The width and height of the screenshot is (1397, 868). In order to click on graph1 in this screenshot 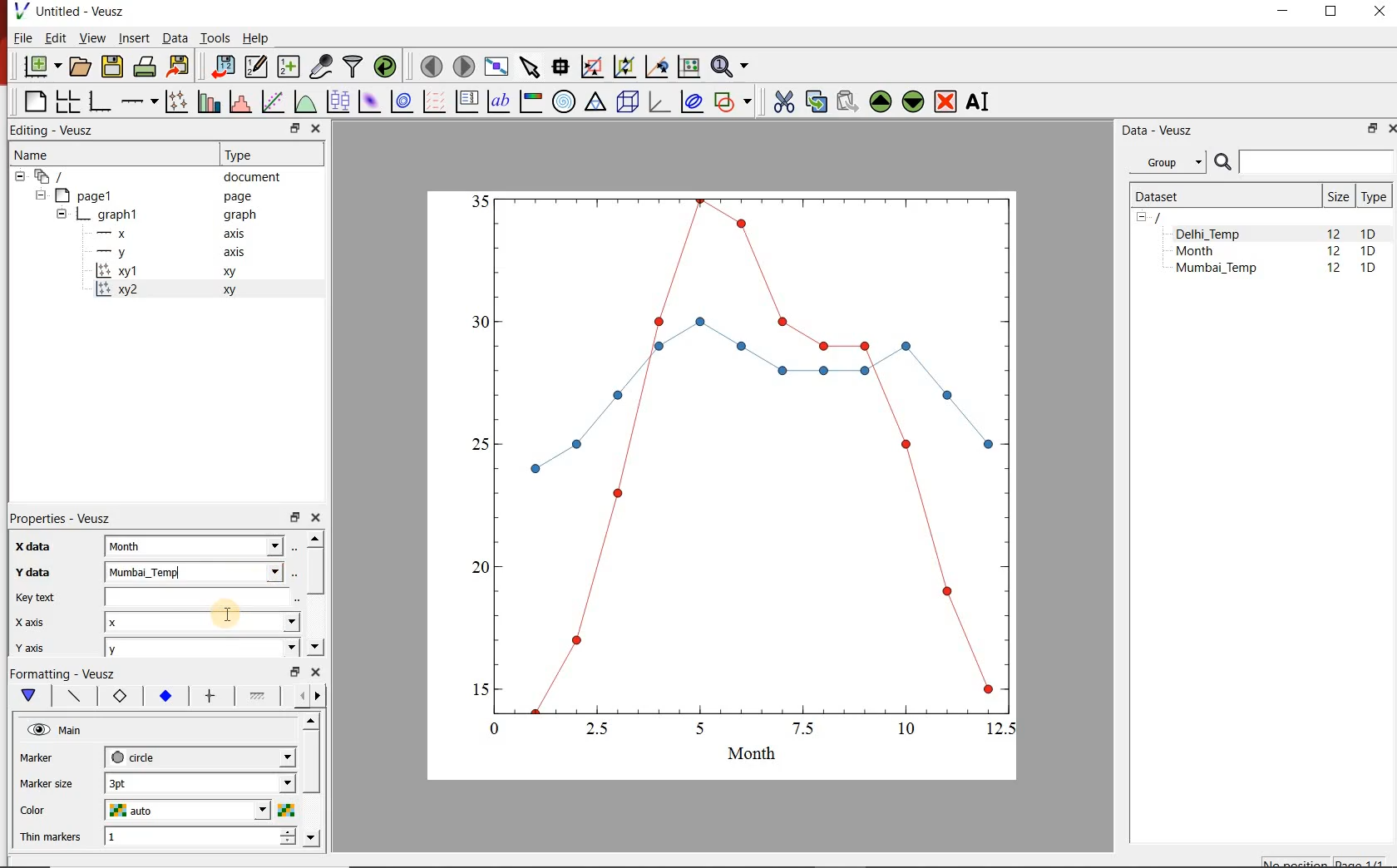, I will do `click(158, 215)`.